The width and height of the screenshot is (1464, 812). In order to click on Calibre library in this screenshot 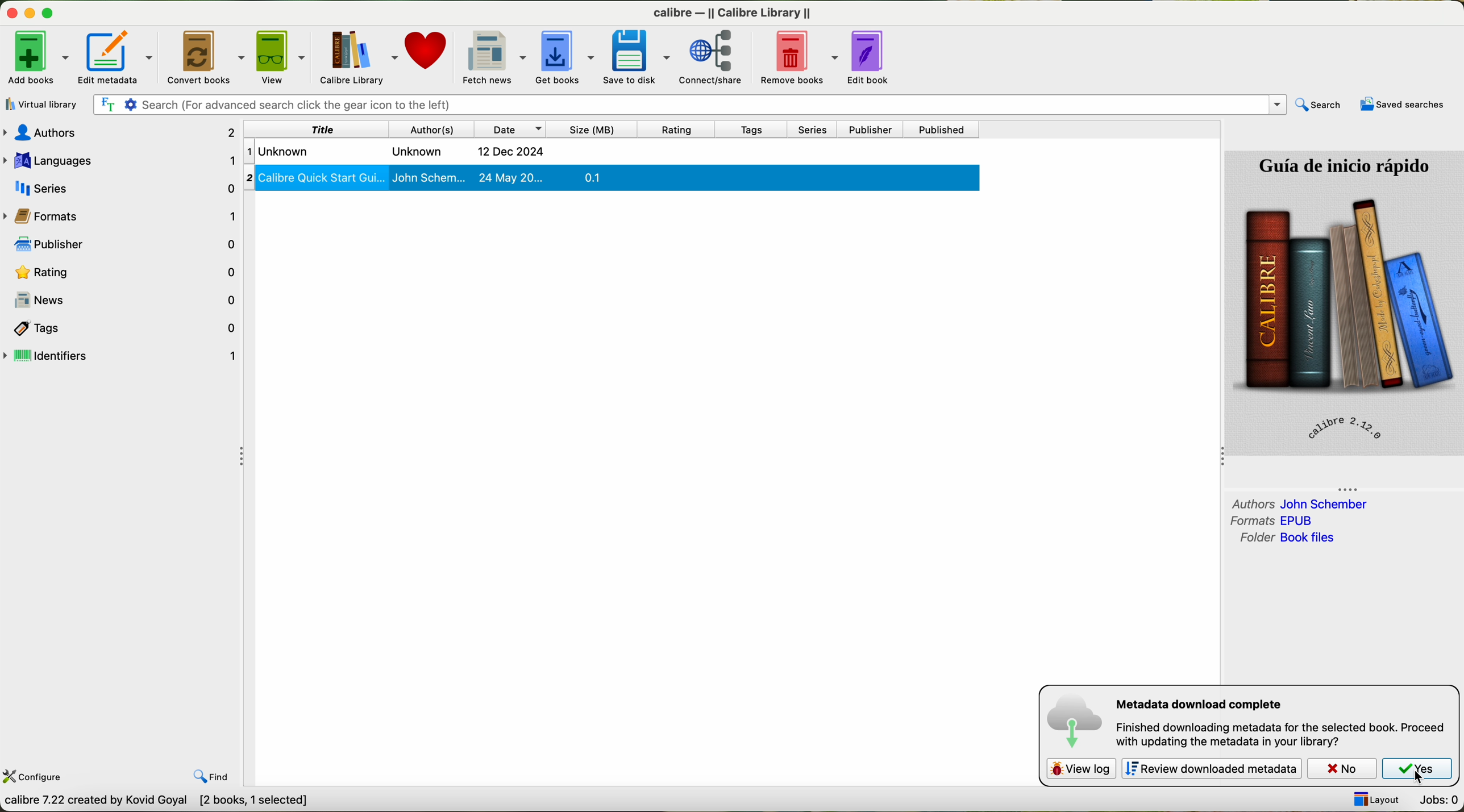, I will do `click(360, 55)`.